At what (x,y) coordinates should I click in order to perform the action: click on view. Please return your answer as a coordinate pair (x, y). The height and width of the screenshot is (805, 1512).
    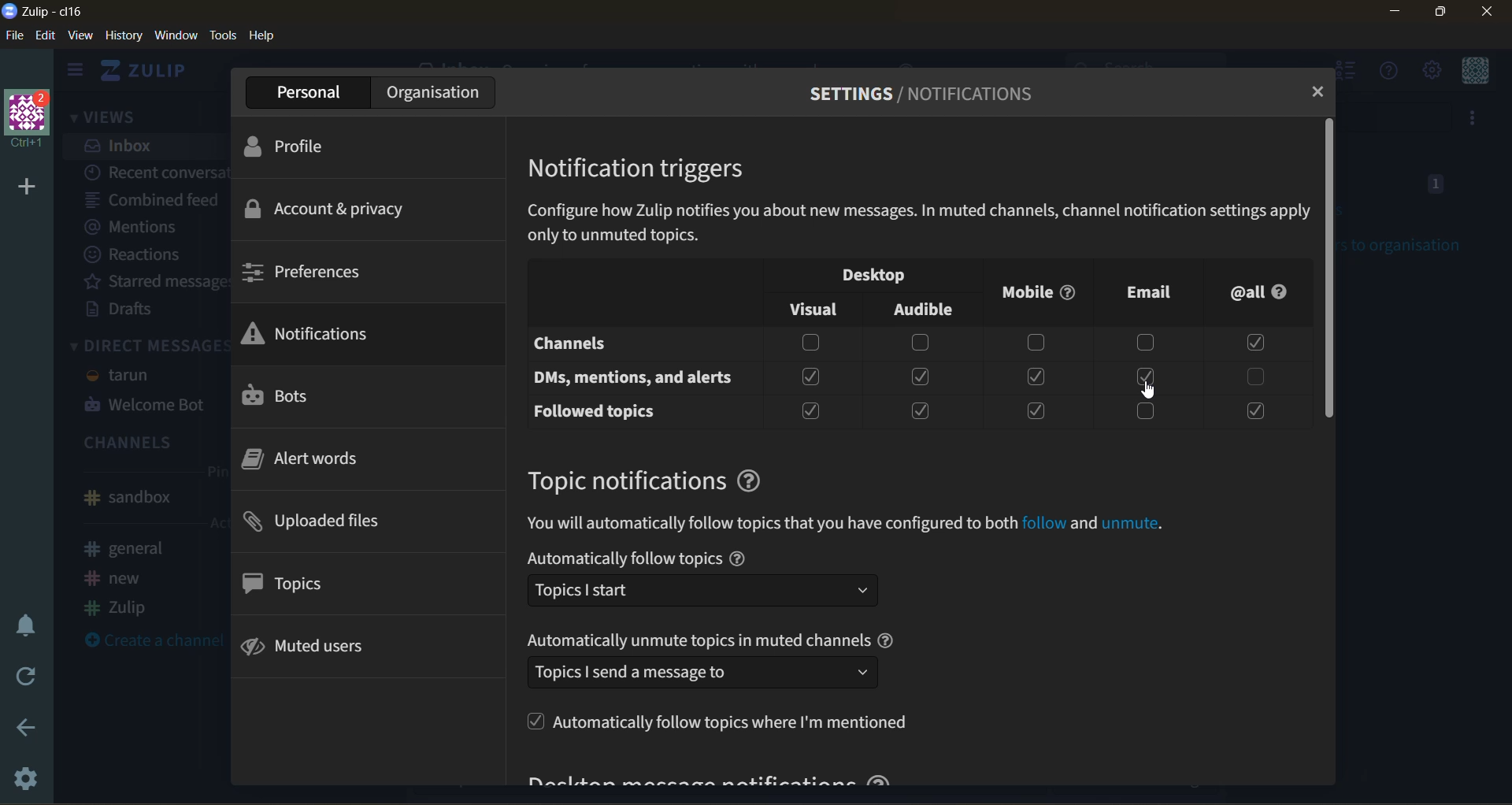
    Looking at the image, I should click on (81, 36).